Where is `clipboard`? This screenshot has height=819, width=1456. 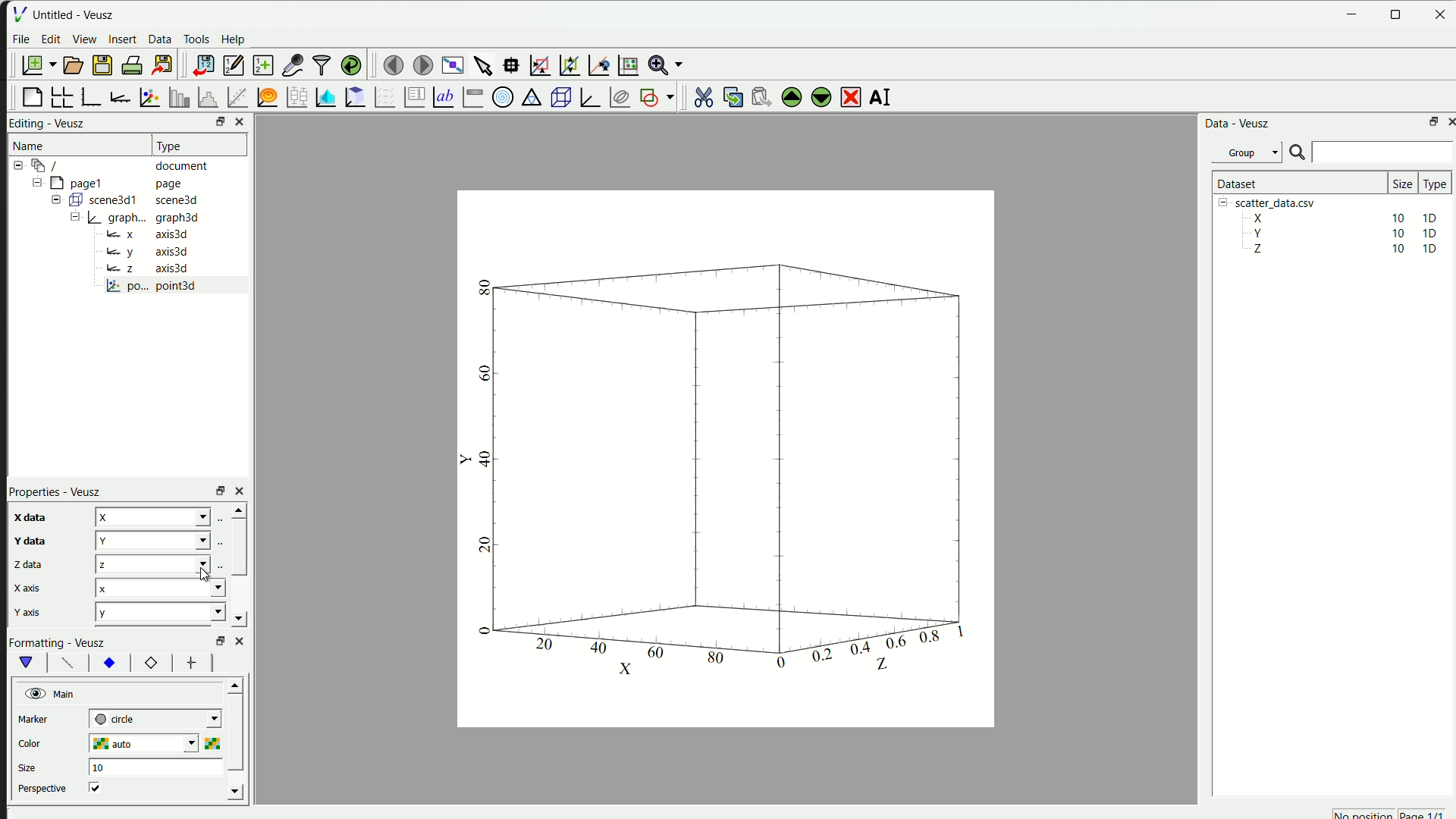
clipboard is located at coordinates (353, 97).